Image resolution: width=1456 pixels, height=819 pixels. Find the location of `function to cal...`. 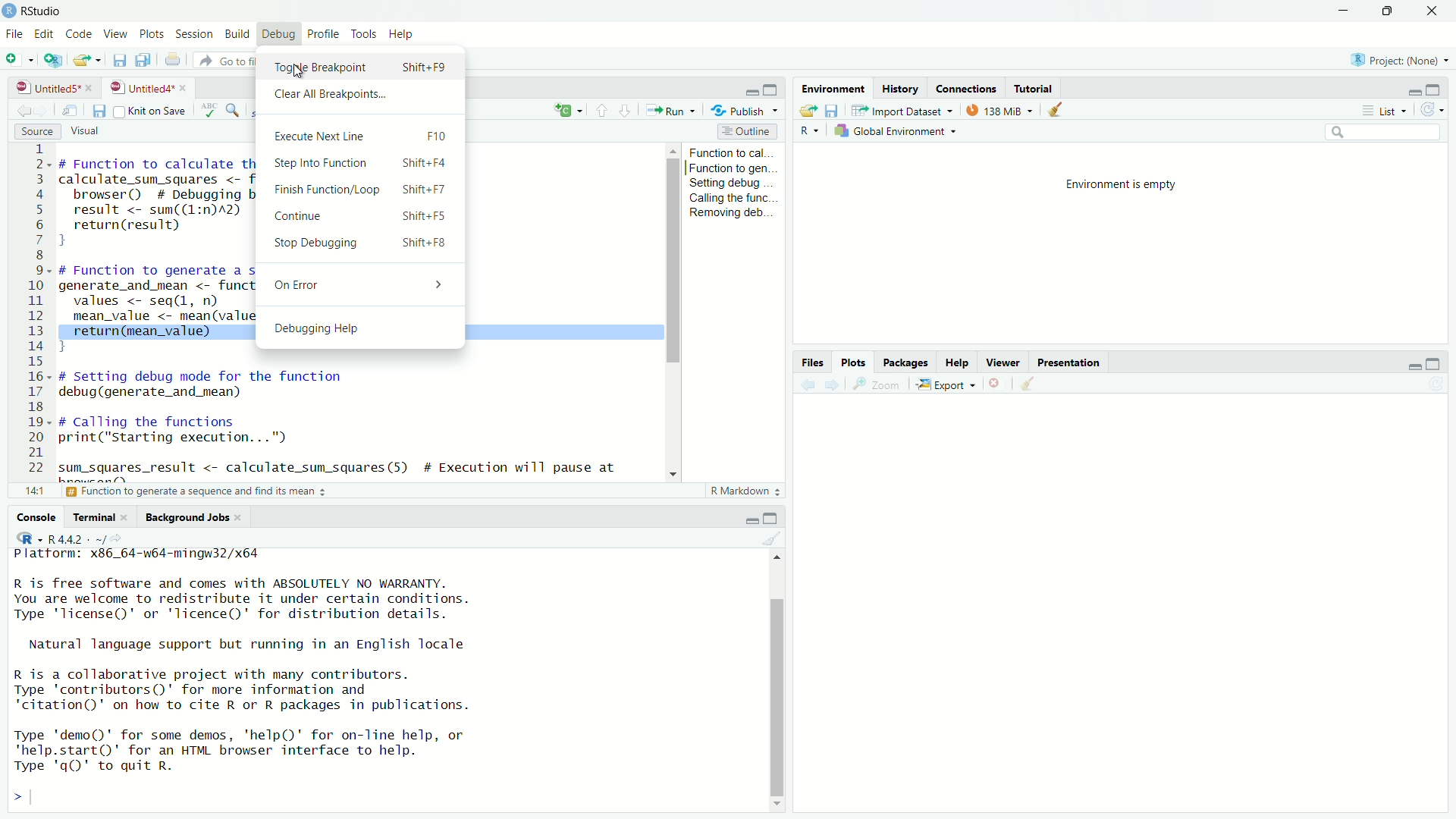

function to cal... is located at coordinates (731, 152).